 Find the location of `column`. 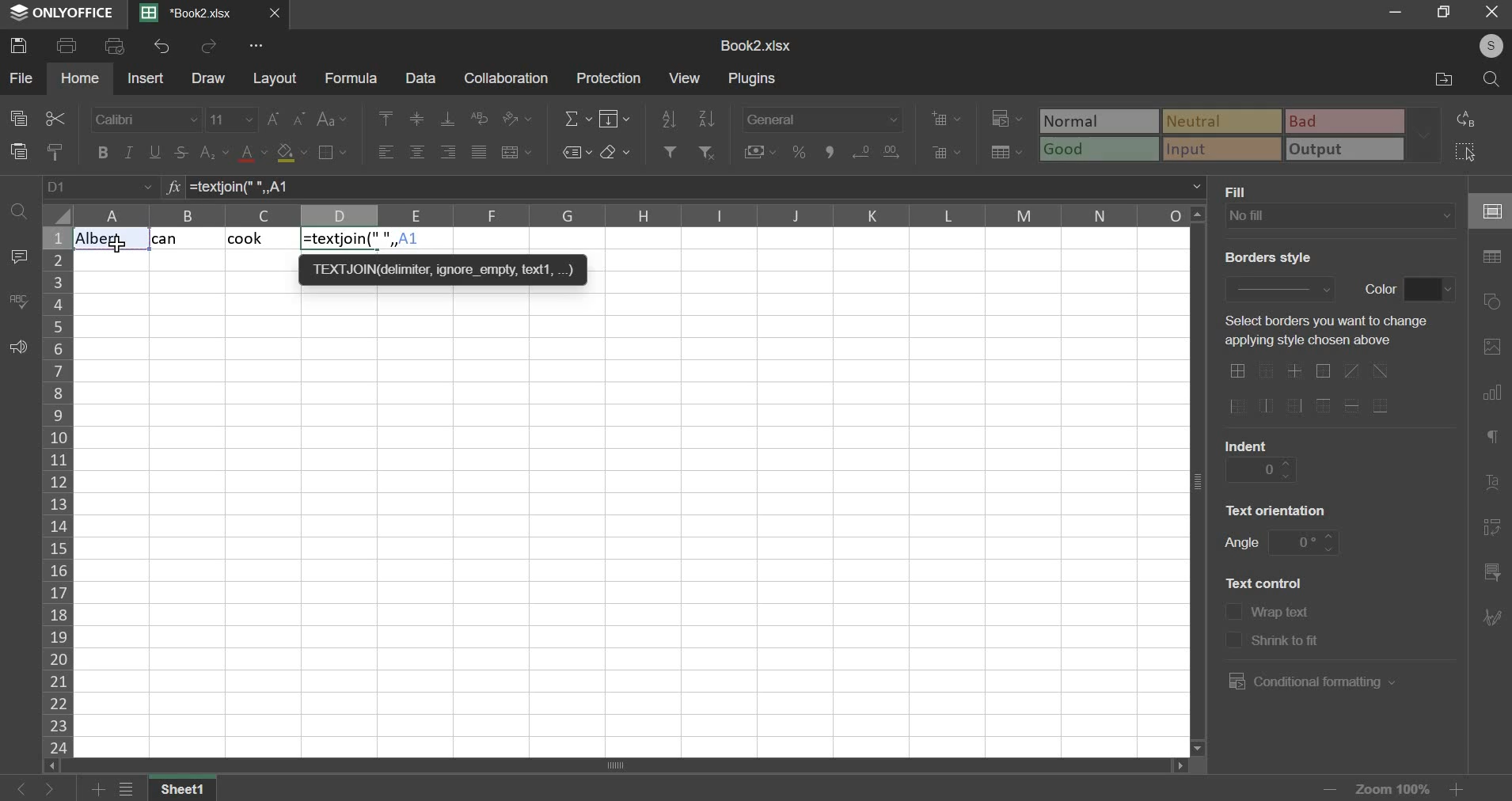

column is located at coordinates (56, 491).